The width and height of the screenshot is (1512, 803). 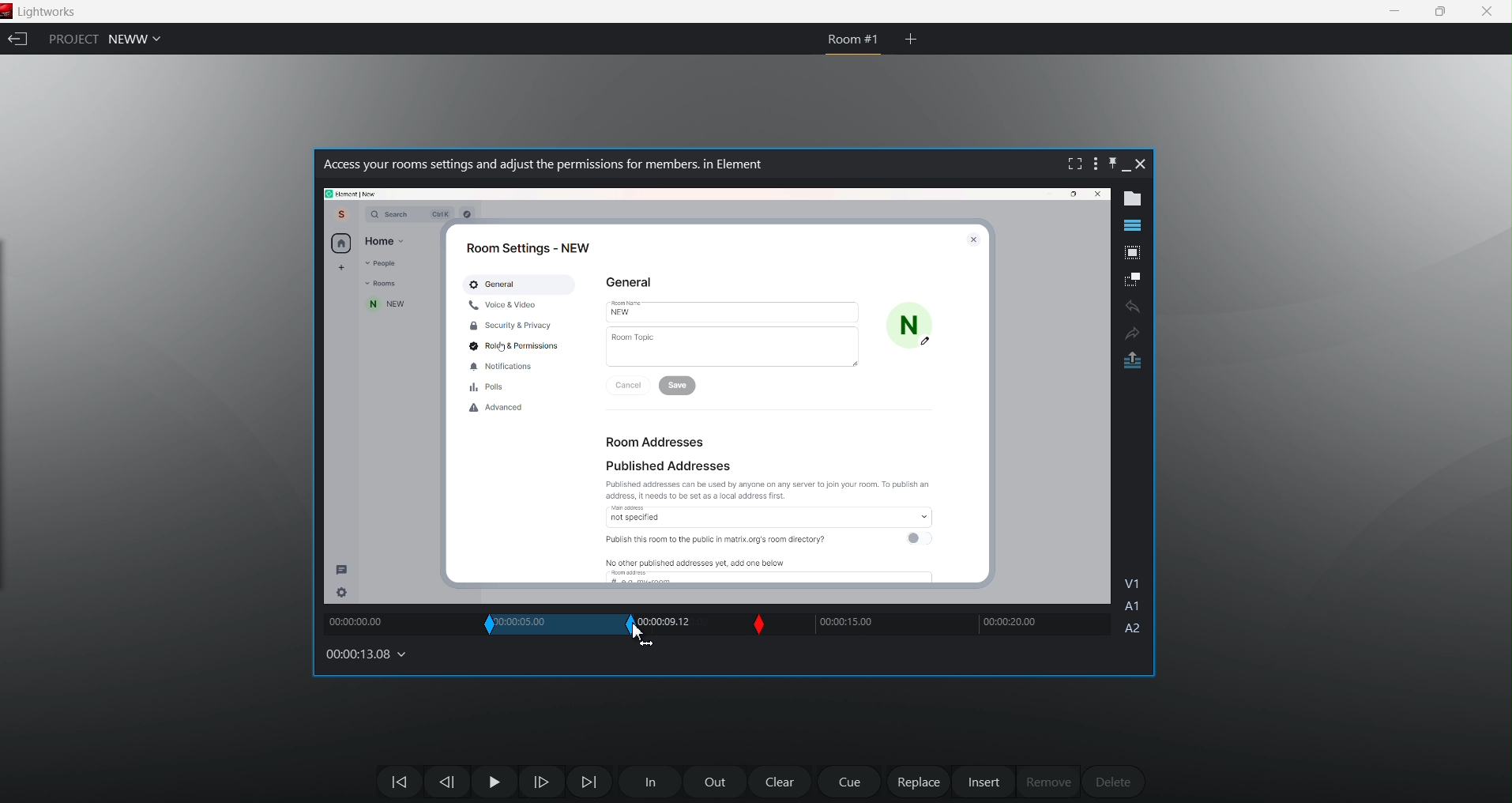 What do you see at coordinates (500, 407) in the screenshot?
I see `Advanced` at bounding box center [500, 407].